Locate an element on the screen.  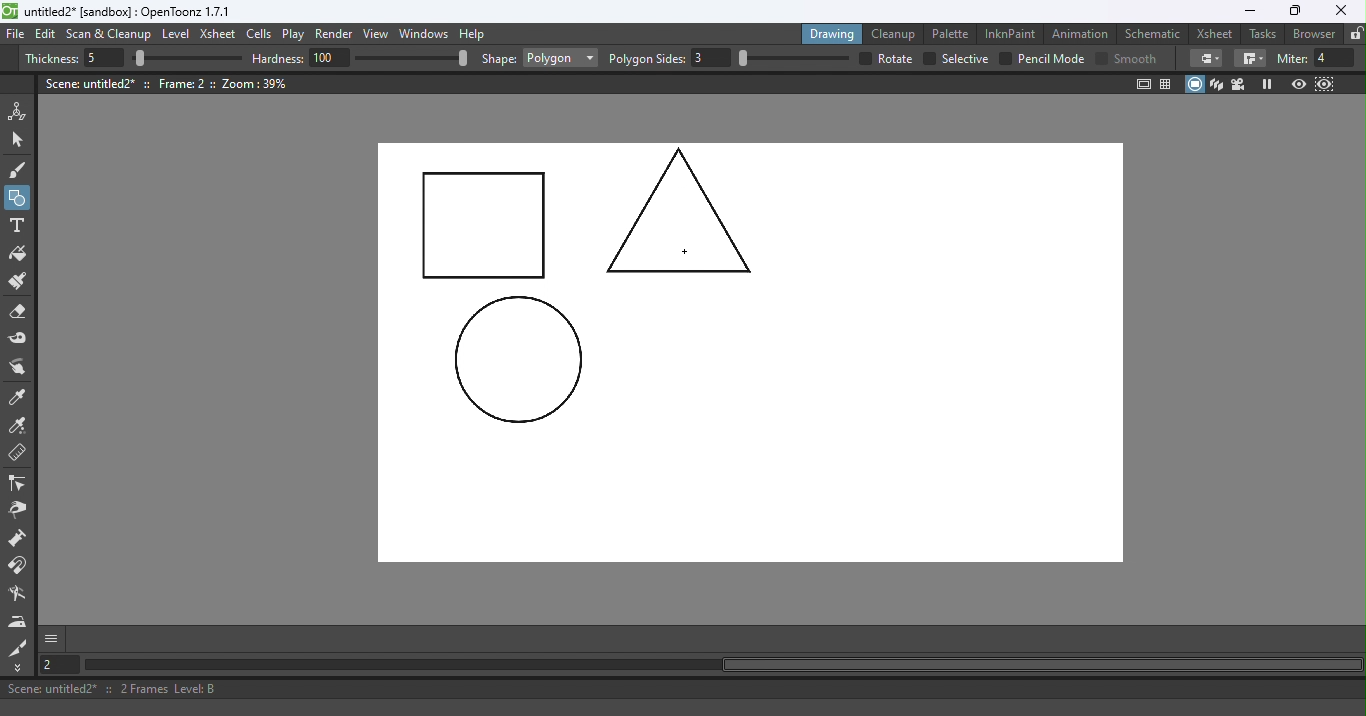
Thickness is located at coordinates (51, 59).